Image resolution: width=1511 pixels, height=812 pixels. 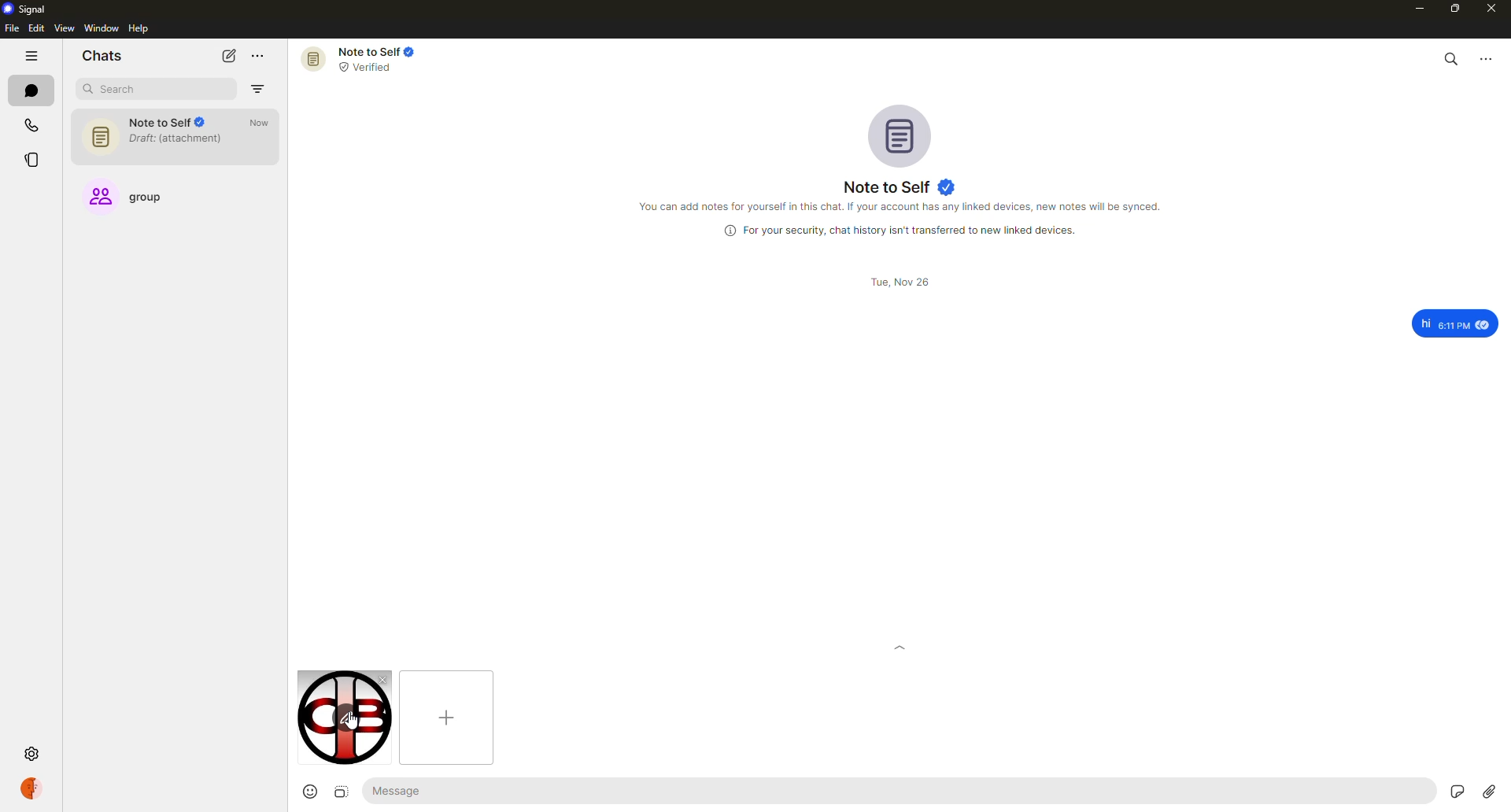 What do you see at coordinates (1417, 9) in the screenshot?
I see `minimize` at bounding box center [1417, 9].